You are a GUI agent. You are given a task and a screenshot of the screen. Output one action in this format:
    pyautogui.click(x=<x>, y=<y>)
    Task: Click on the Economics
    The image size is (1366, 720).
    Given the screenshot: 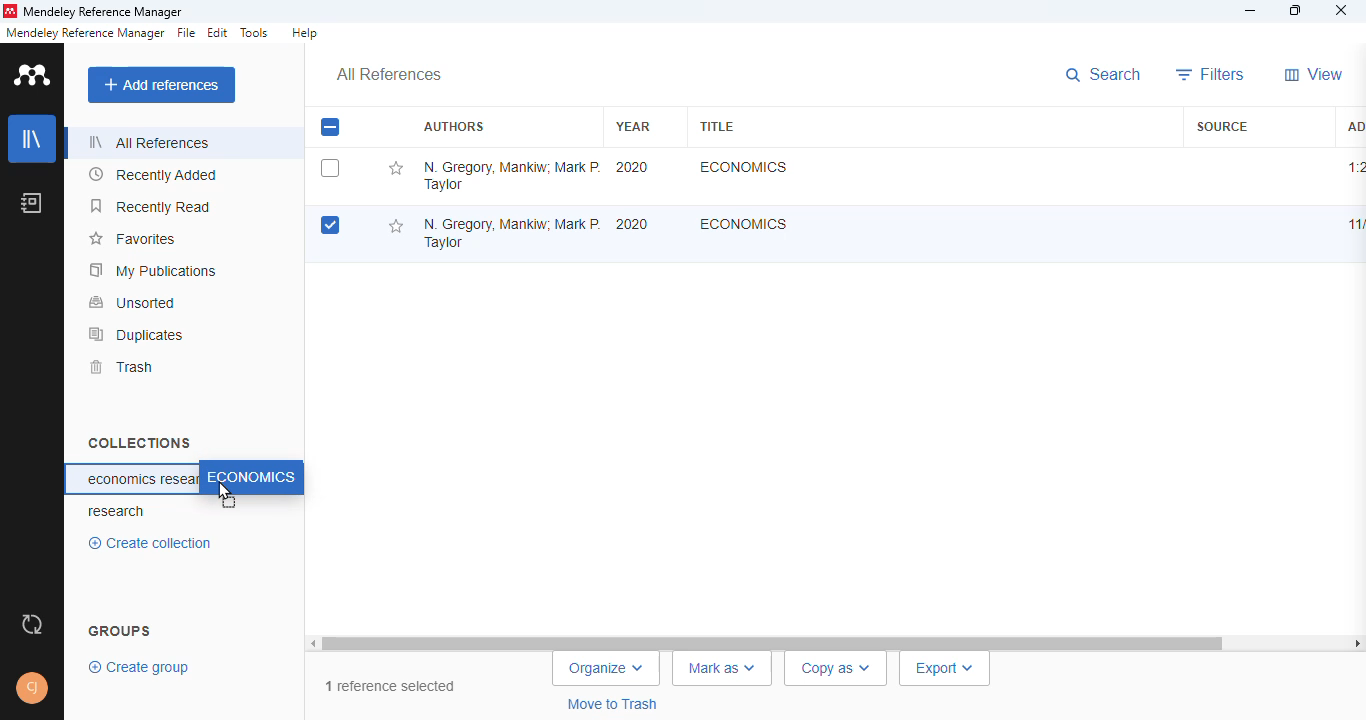 What is the action you would take?
    pyautogui.click(x=744, y=223)
    